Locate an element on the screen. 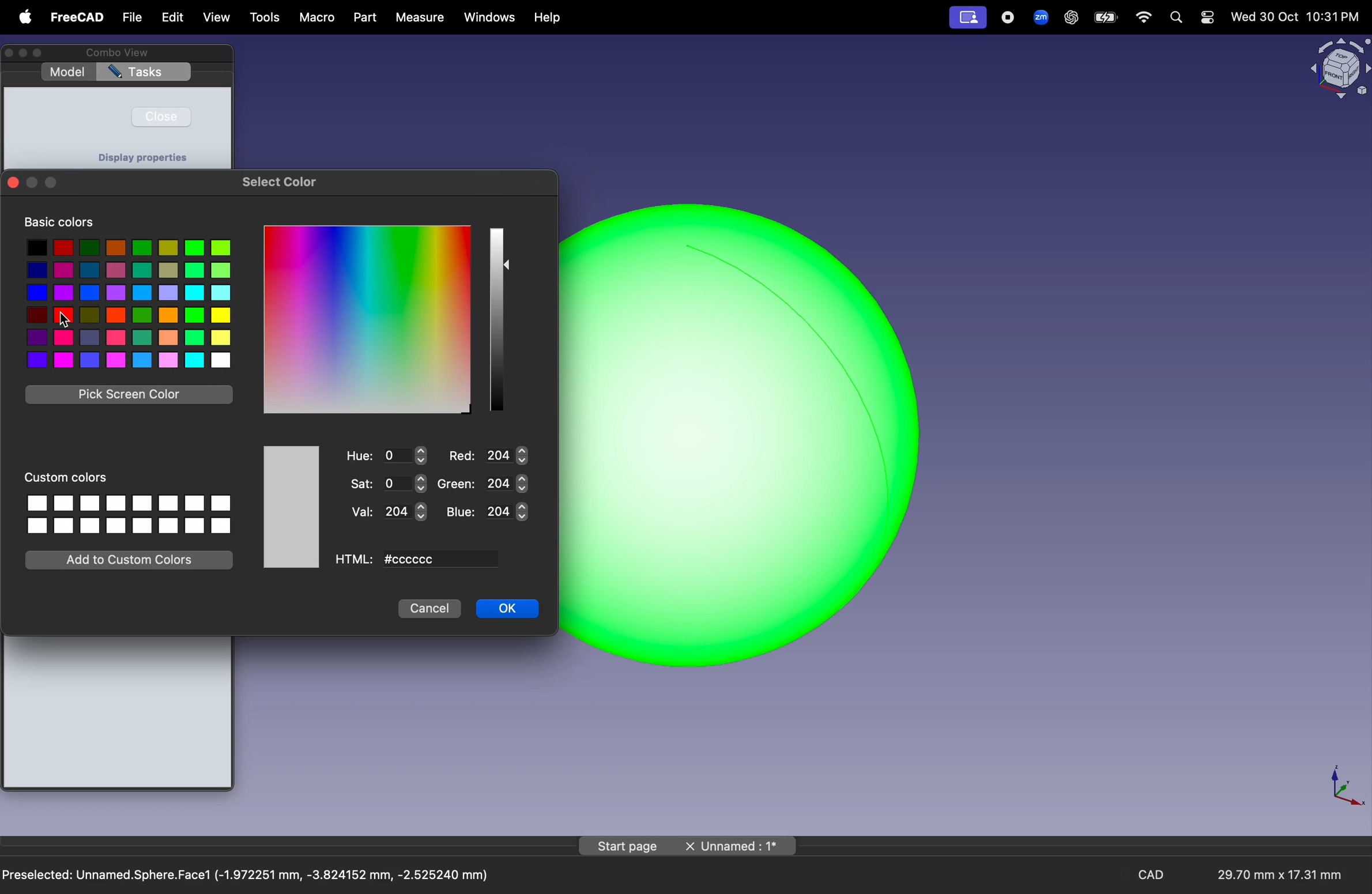 This screenshot has height=894, width=1372. cancel  is located at coordinates (429, 609).